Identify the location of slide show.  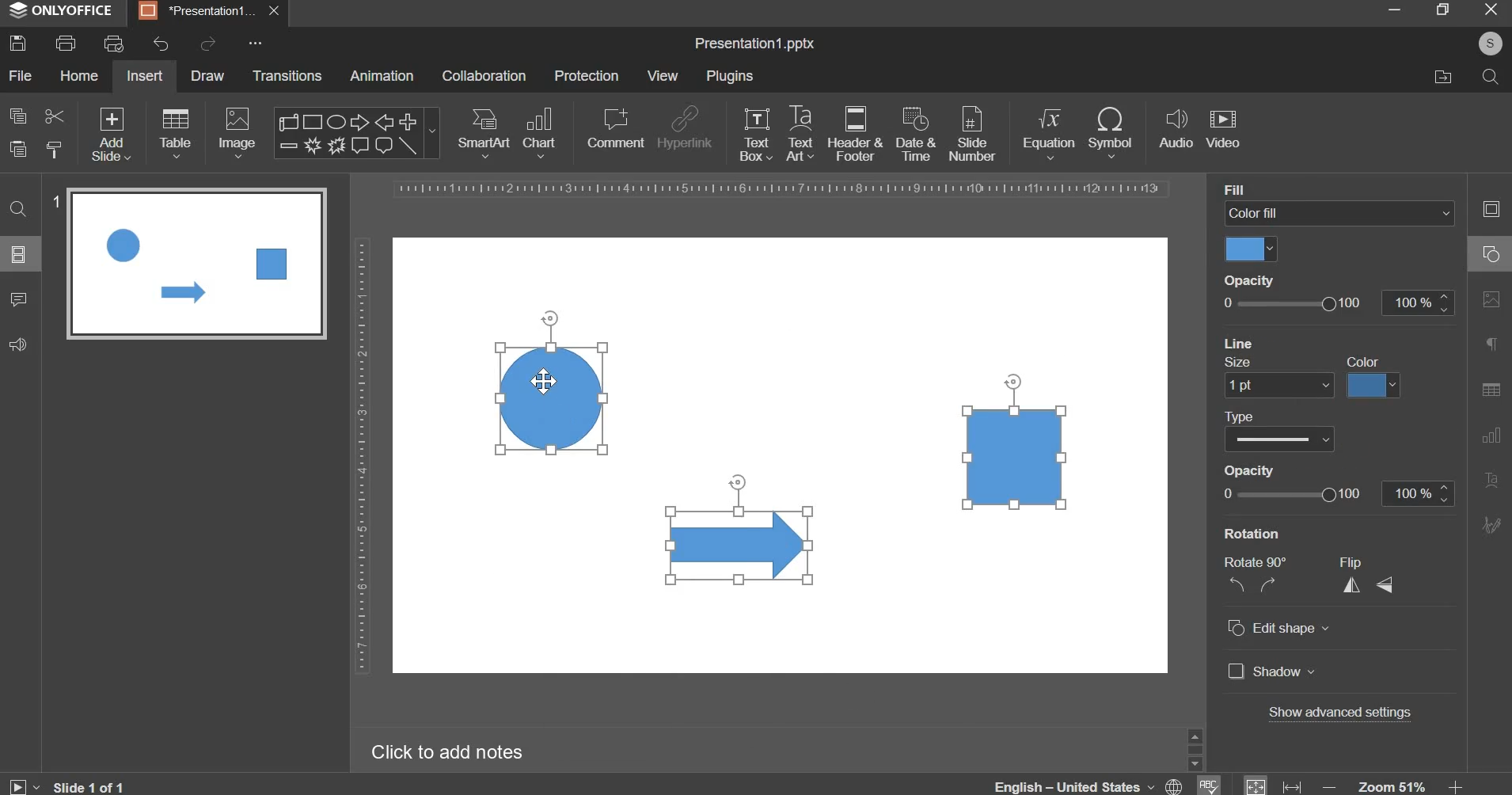
(25, 785).